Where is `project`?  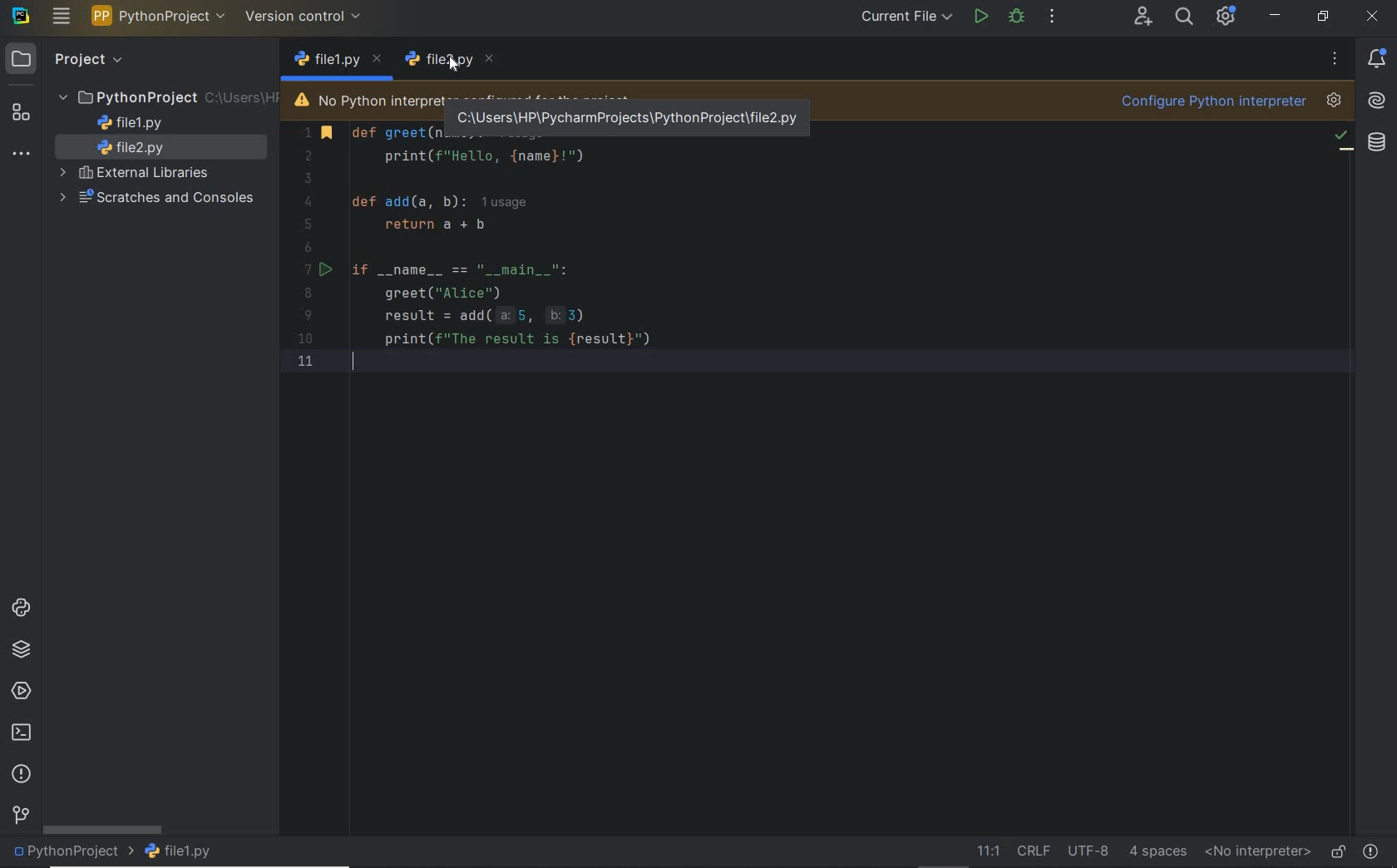 project is located at coordinates (67, 60).